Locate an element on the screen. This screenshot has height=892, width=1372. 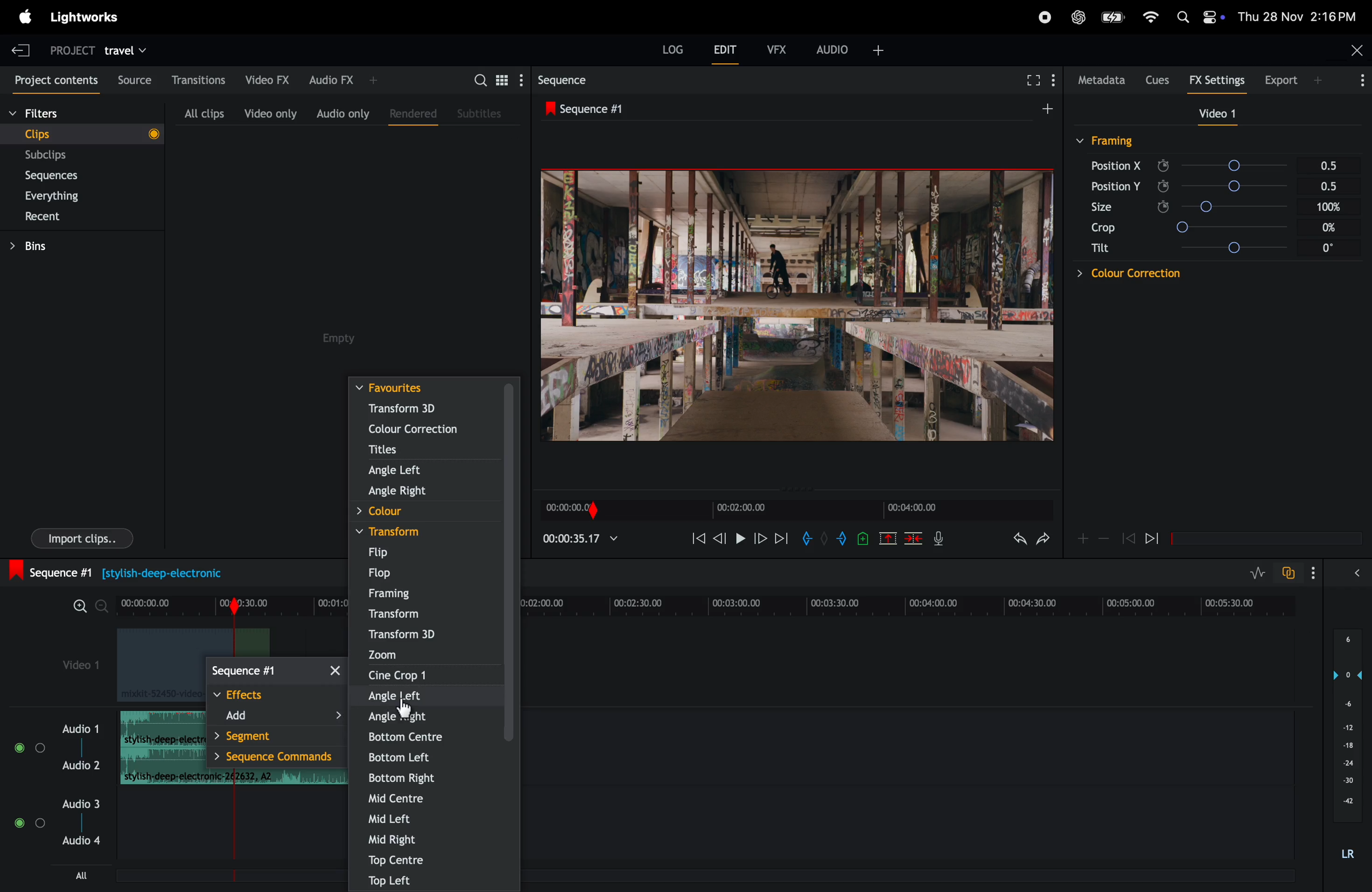
undo is located at coordinates (1043, 542).